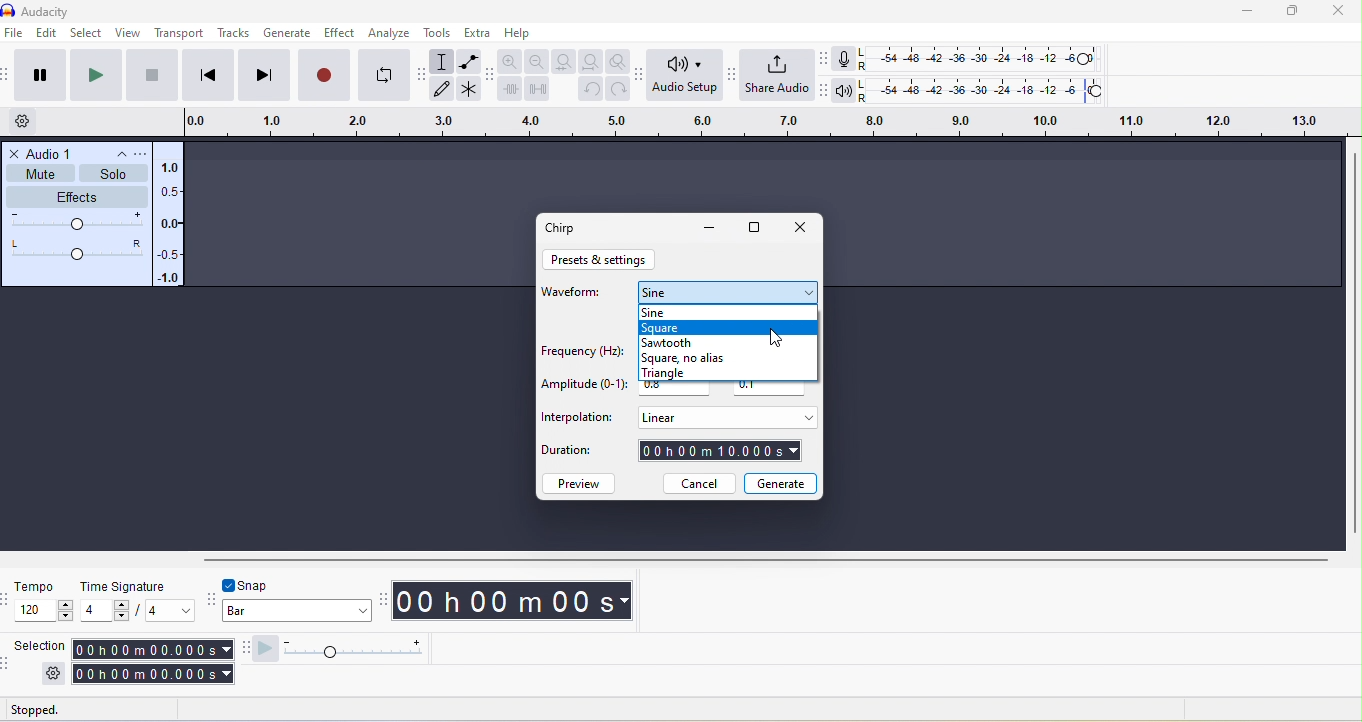  I want to click on extra, so click(476, 32).